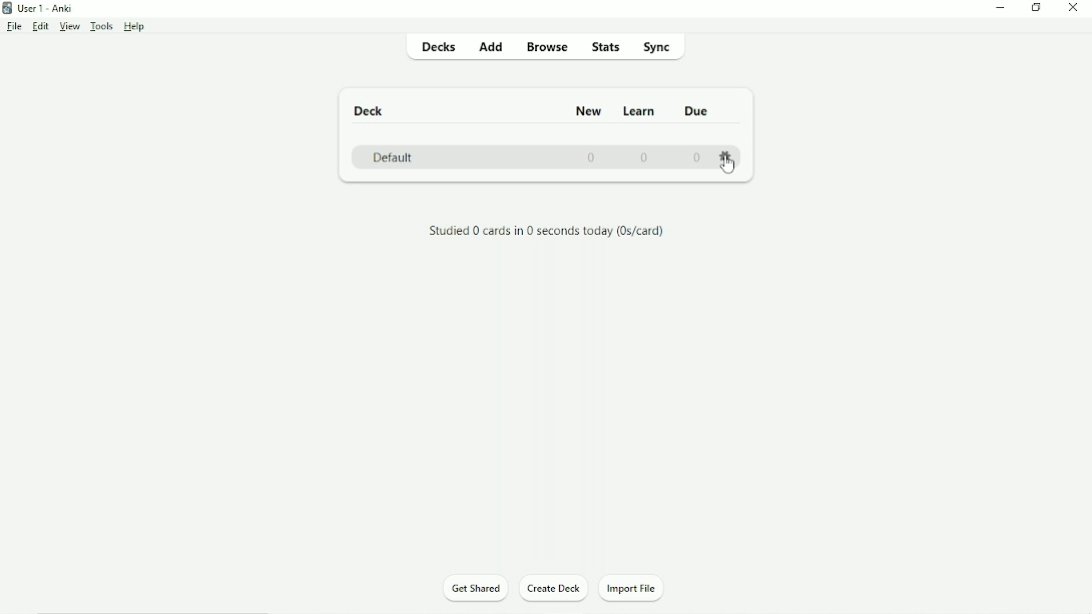 The width and height of the screenshot is (1092, 614). Describe the element at coordinates (475, 587) in the screenshot. I see `Get Started` at that location.